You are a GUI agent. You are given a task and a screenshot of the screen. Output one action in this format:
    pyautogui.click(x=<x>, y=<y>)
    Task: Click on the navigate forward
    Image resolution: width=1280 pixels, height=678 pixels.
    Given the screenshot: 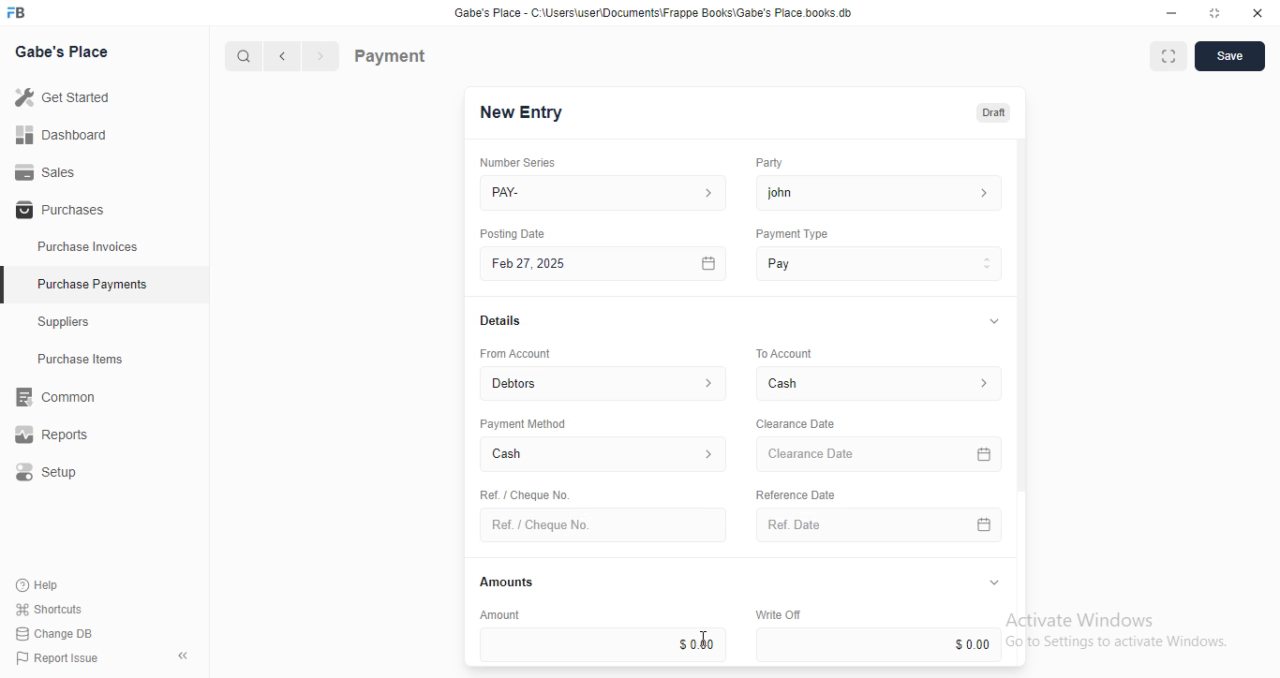 What is the action you would take?
    pyautogui.click(x=322, y=57)
    